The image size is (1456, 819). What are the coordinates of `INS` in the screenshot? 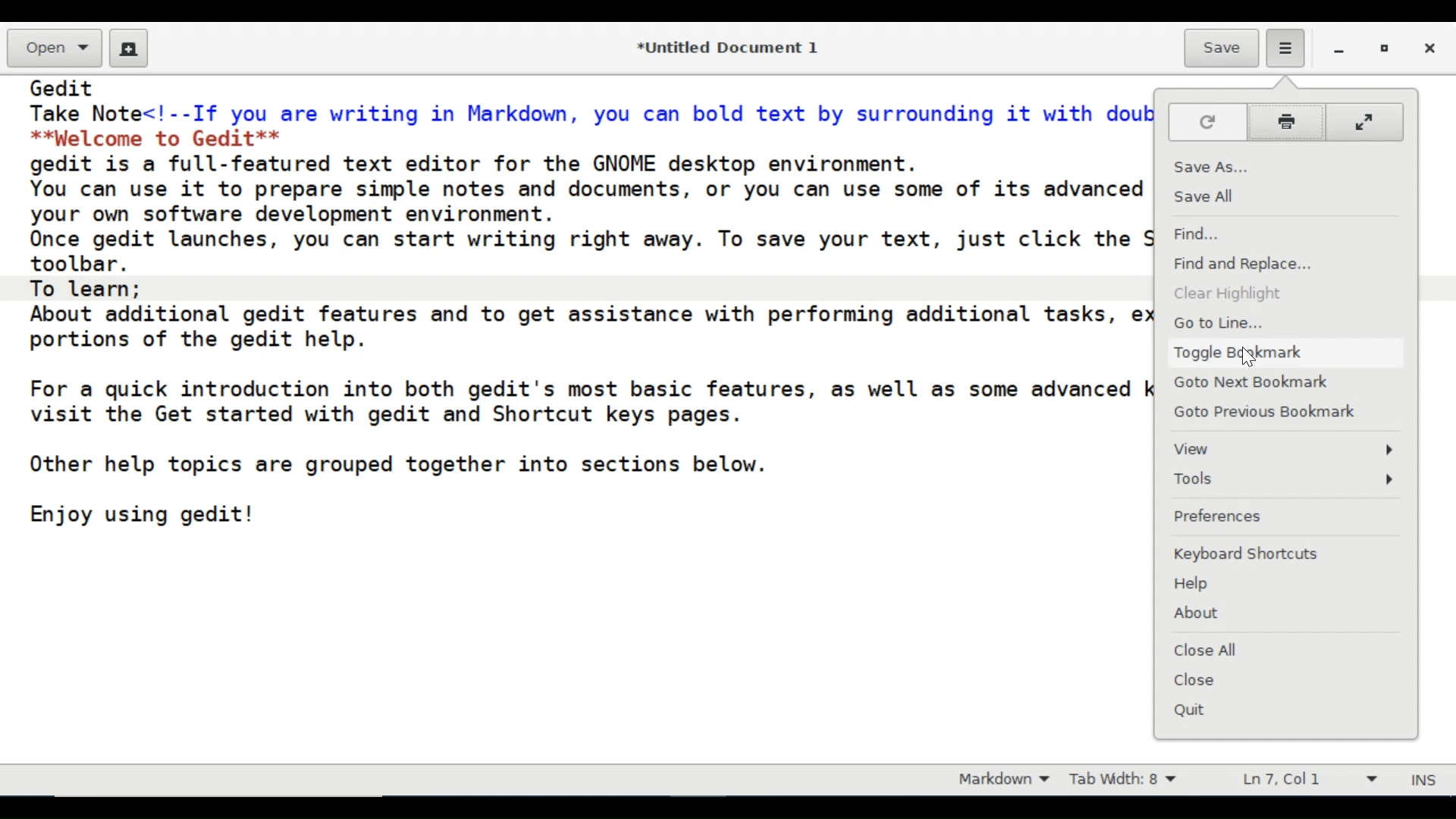 It's located at (1426, 781).